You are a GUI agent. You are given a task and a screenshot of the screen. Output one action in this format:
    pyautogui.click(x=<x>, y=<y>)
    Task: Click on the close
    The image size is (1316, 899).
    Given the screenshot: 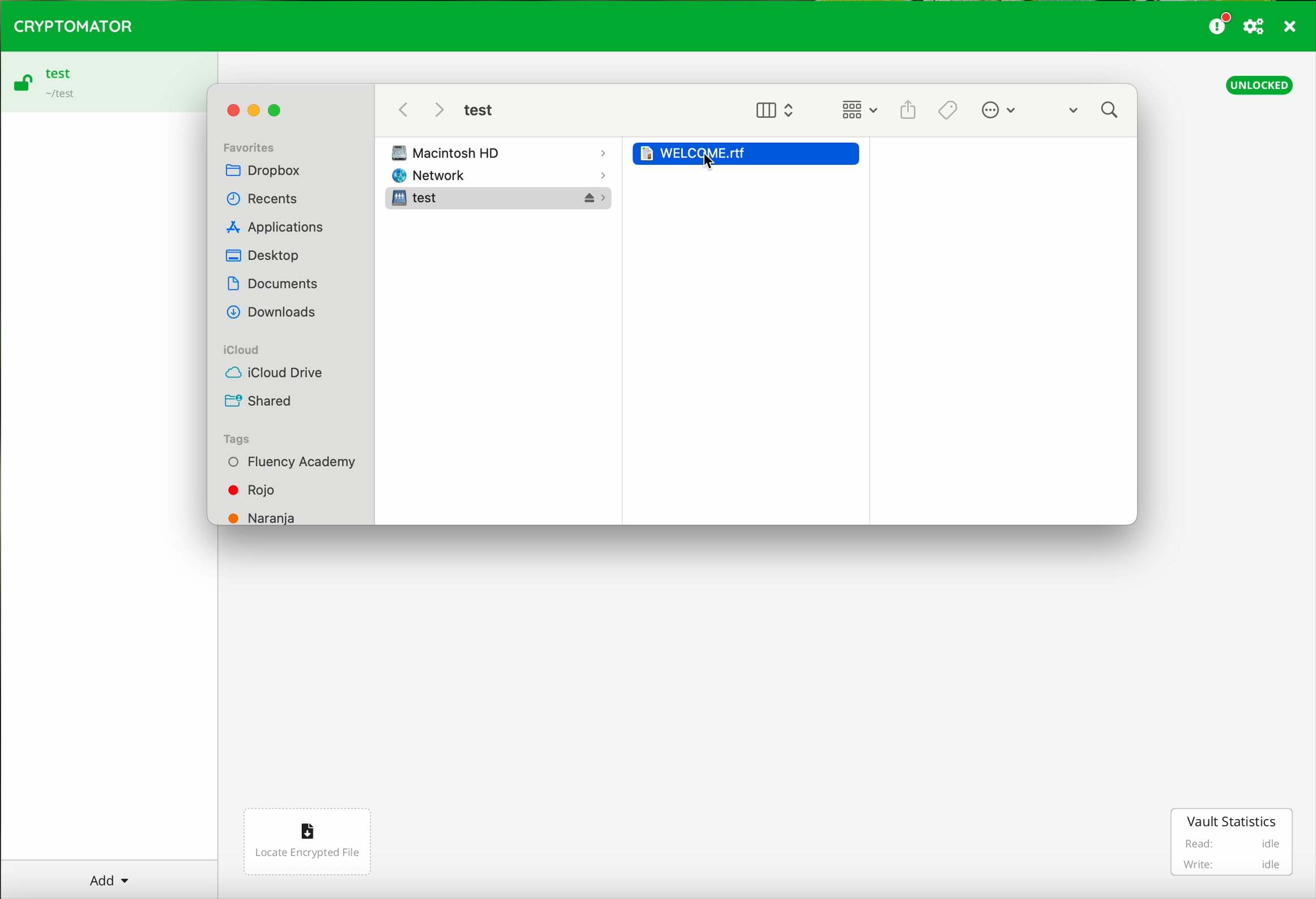 What is the action you would take?
    pyautogui.click(x=1291, y=28)
    